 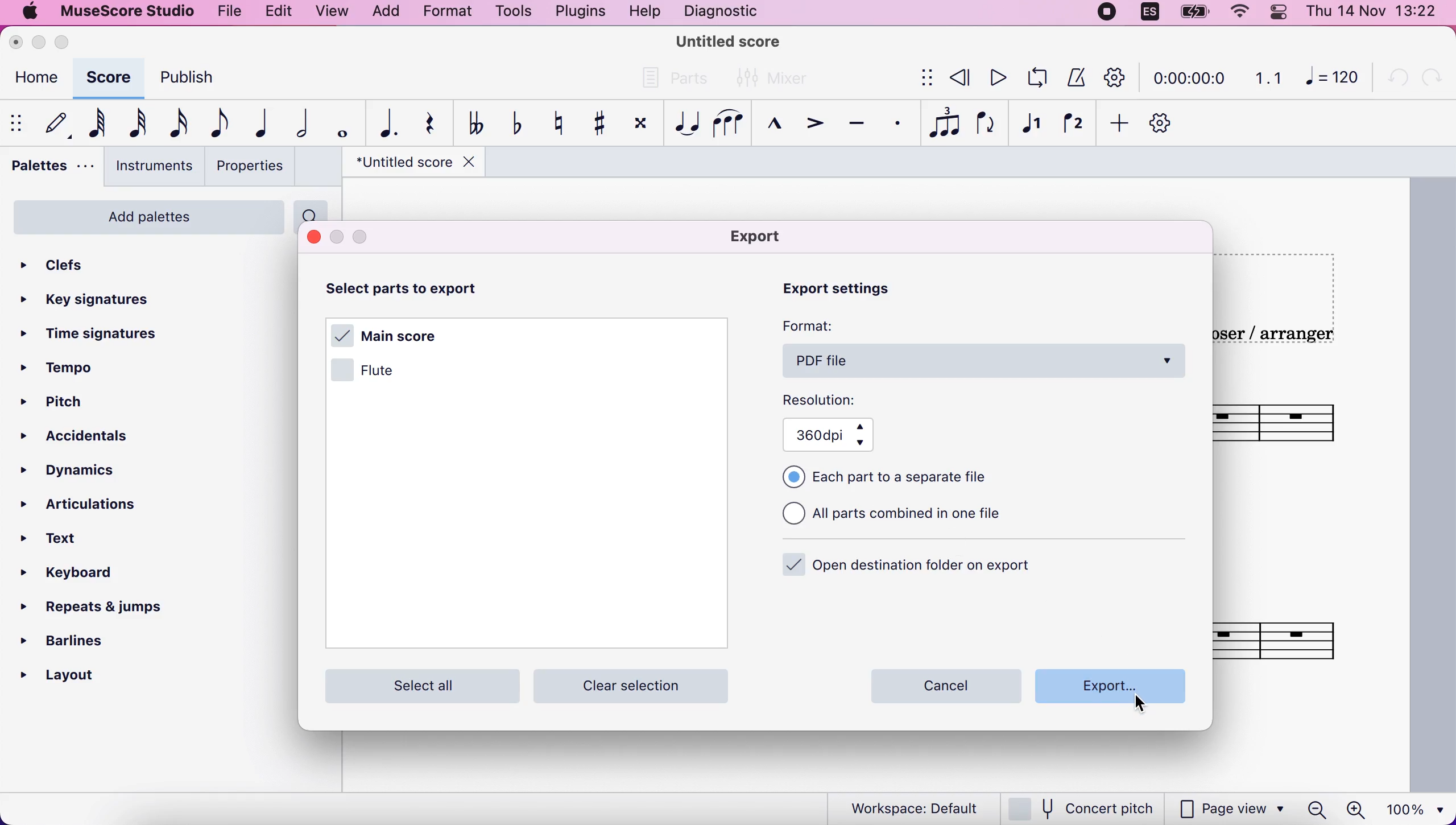 I want to click on edit, so click(x=275, y=13).